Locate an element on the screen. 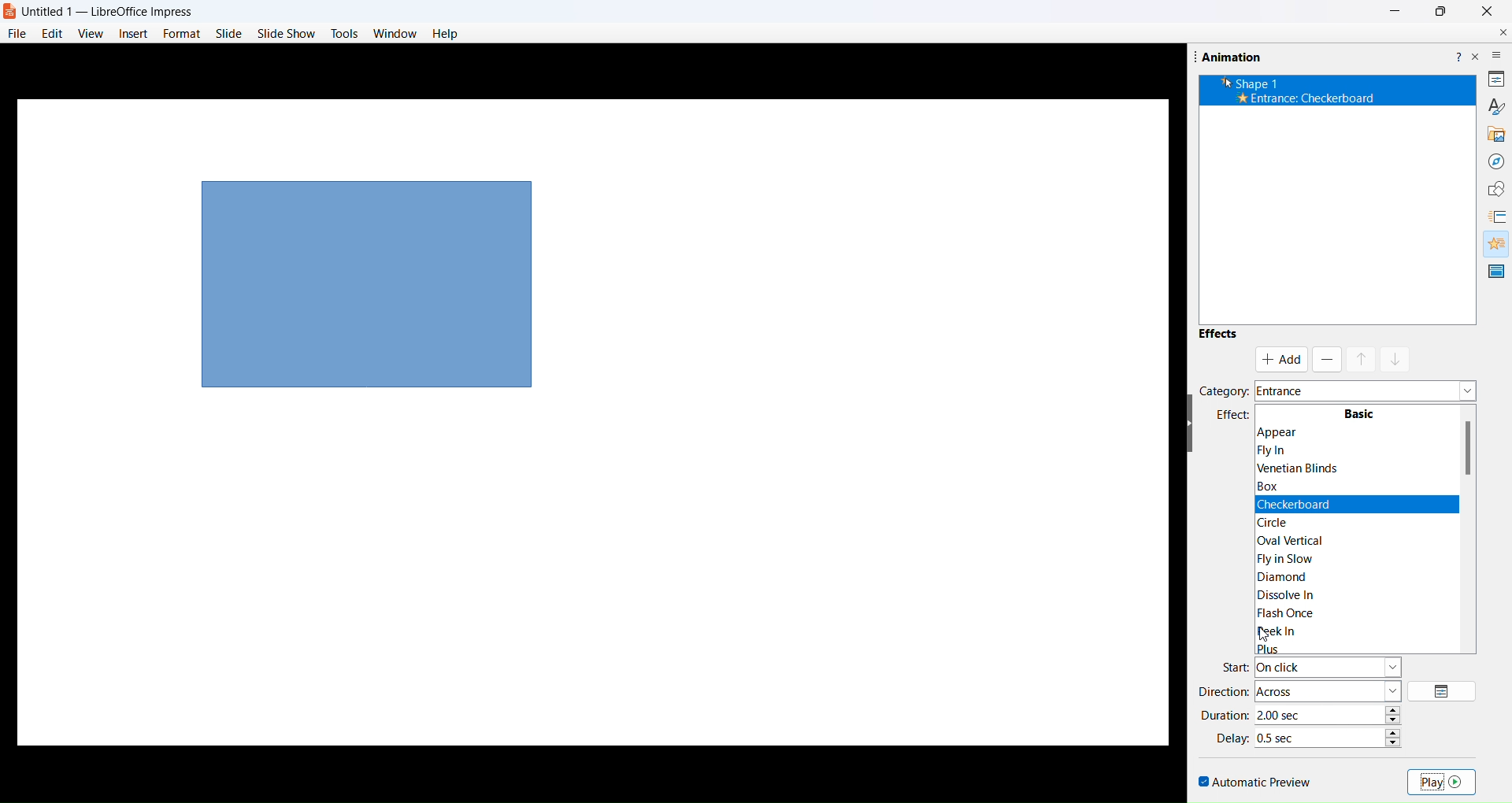 This screenshot has width=1512, height=803. changed delay is located at coordinates (1291, 736).